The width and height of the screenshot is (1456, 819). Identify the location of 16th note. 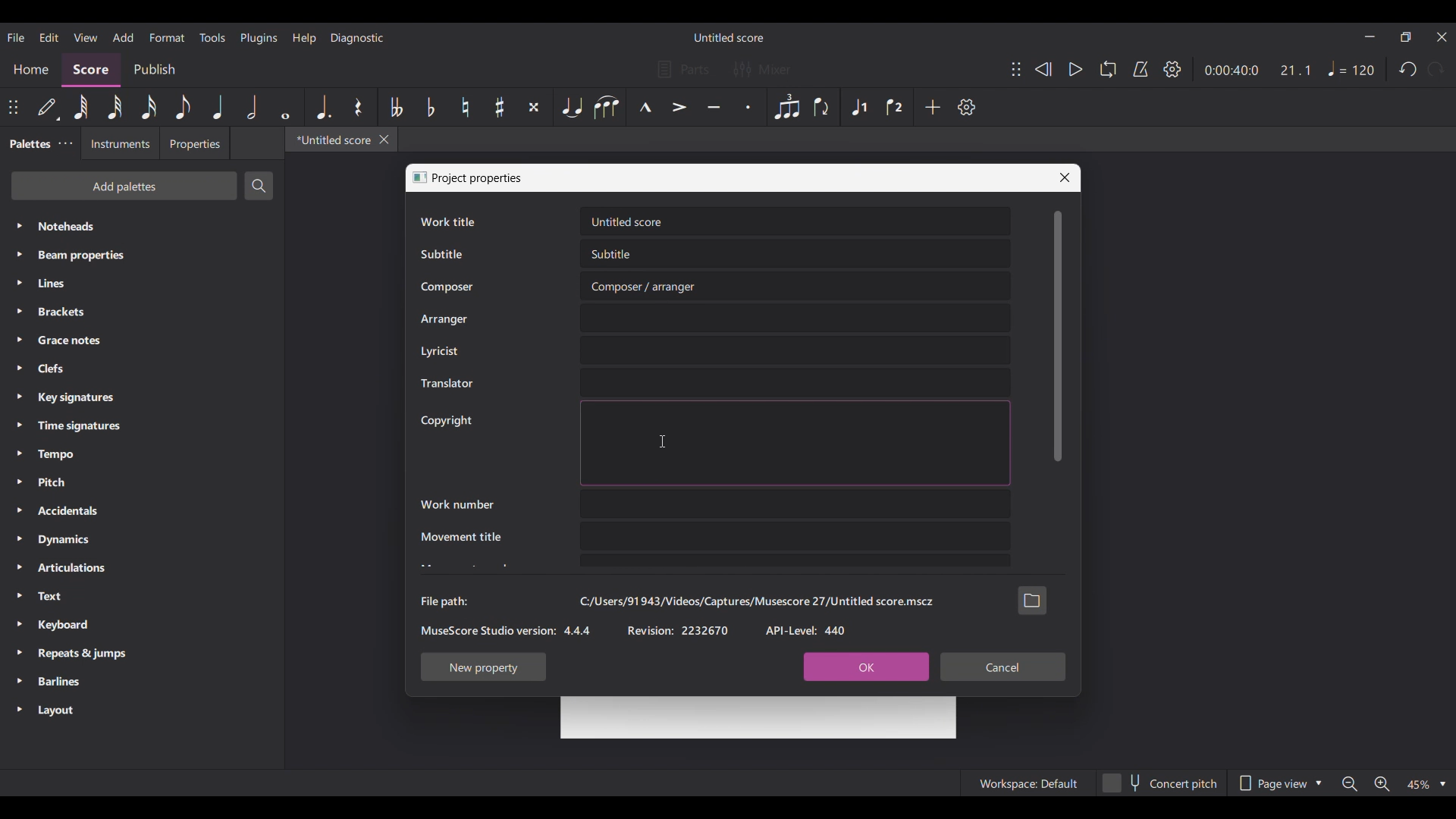
(149, 107).